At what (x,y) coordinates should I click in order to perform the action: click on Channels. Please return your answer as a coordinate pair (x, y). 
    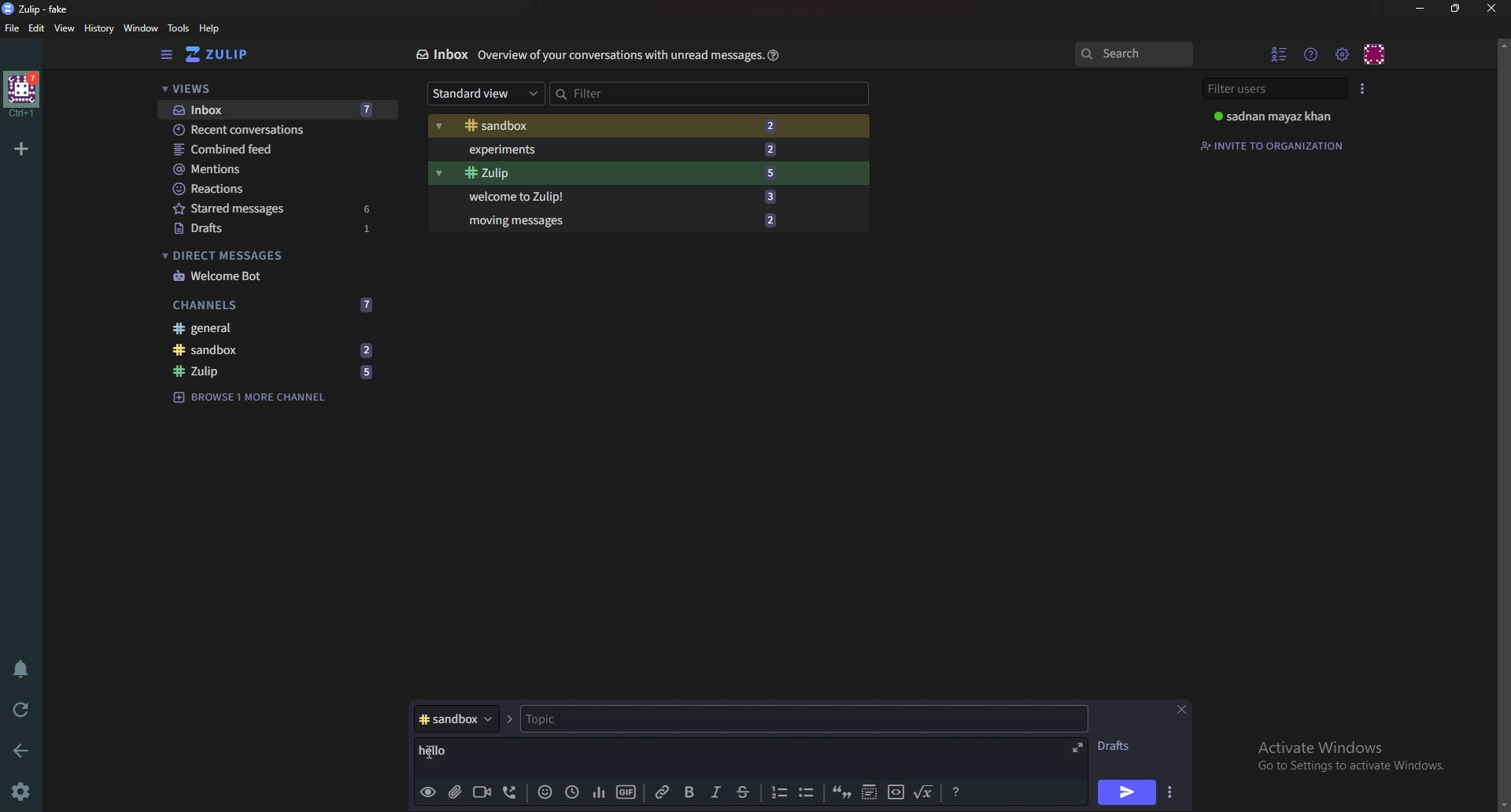
    Looking at the image, I should click on (275, 305).